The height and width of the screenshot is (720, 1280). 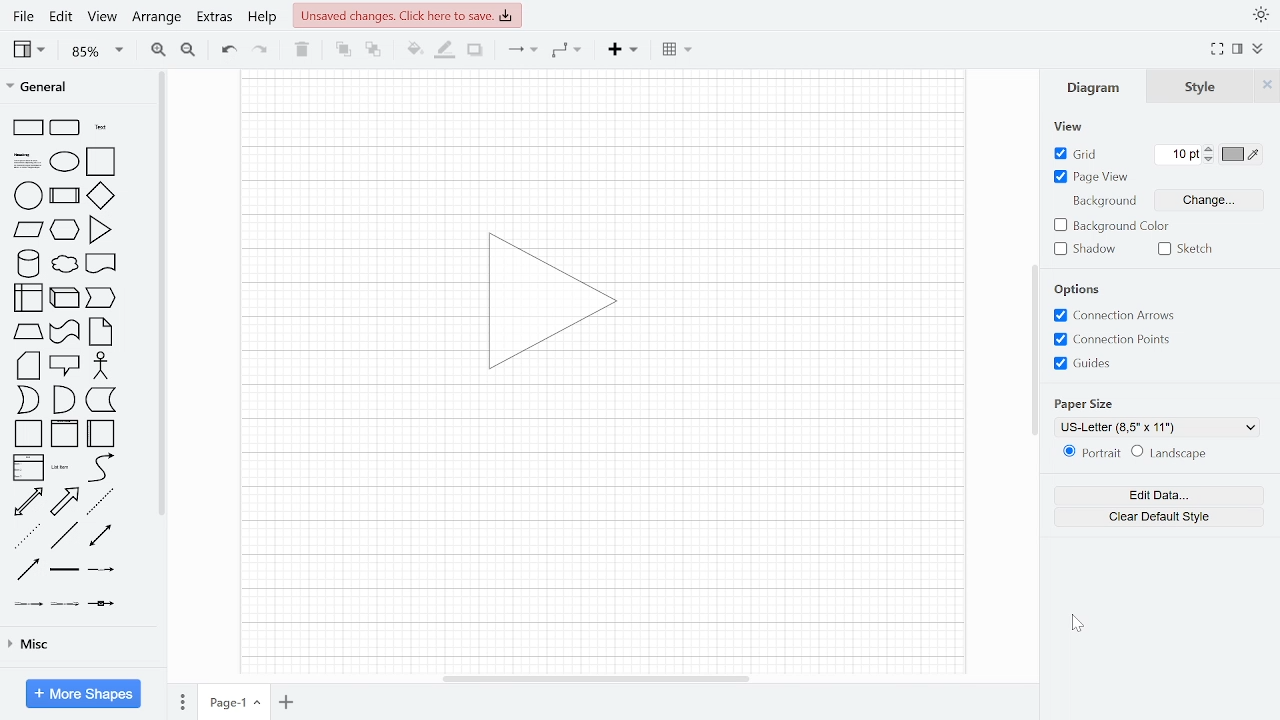 I want to click on To front, so click(x=342, y=49).